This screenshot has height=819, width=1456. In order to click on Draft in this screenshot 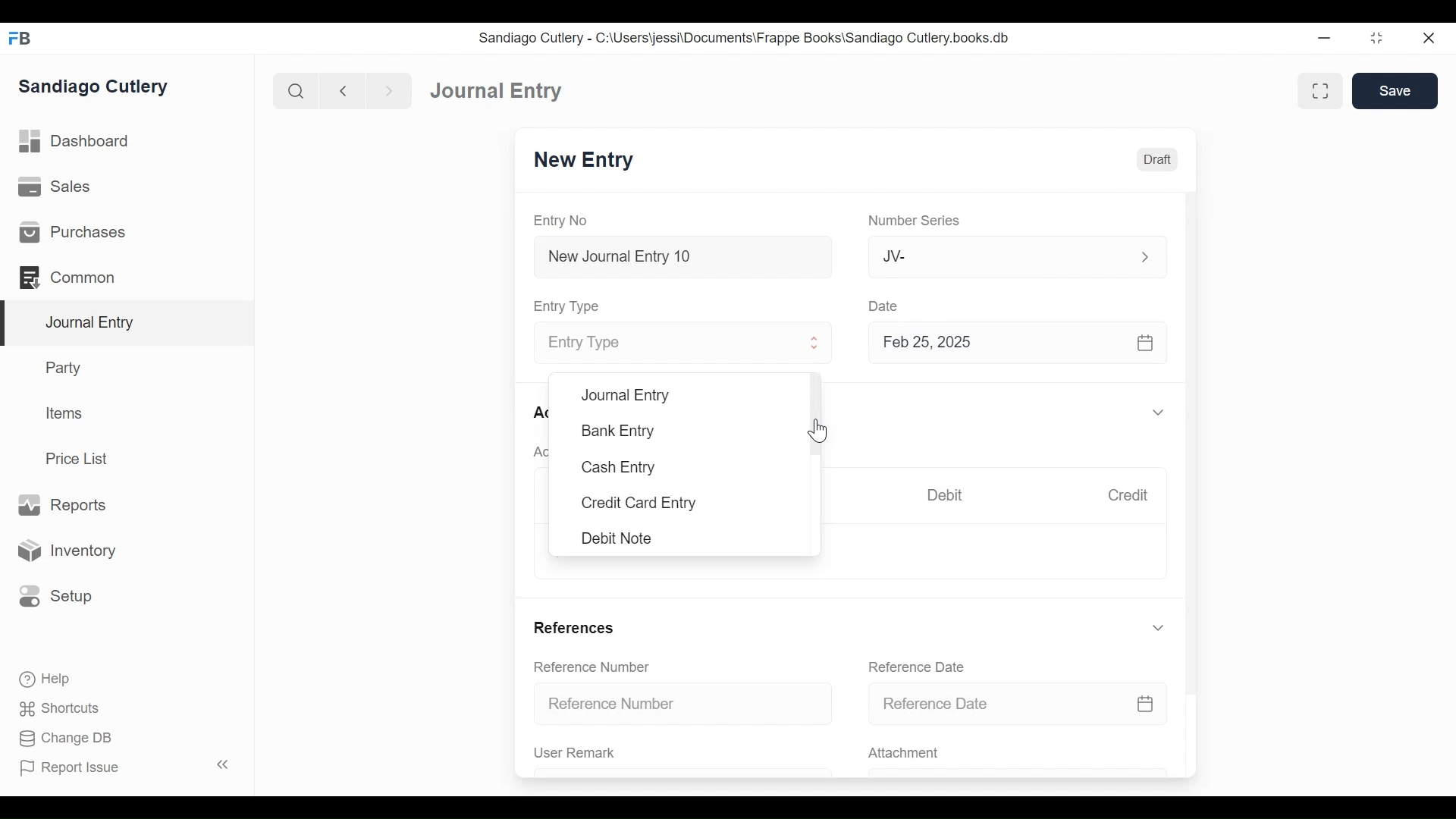, I will do `click(1158, 160)`.